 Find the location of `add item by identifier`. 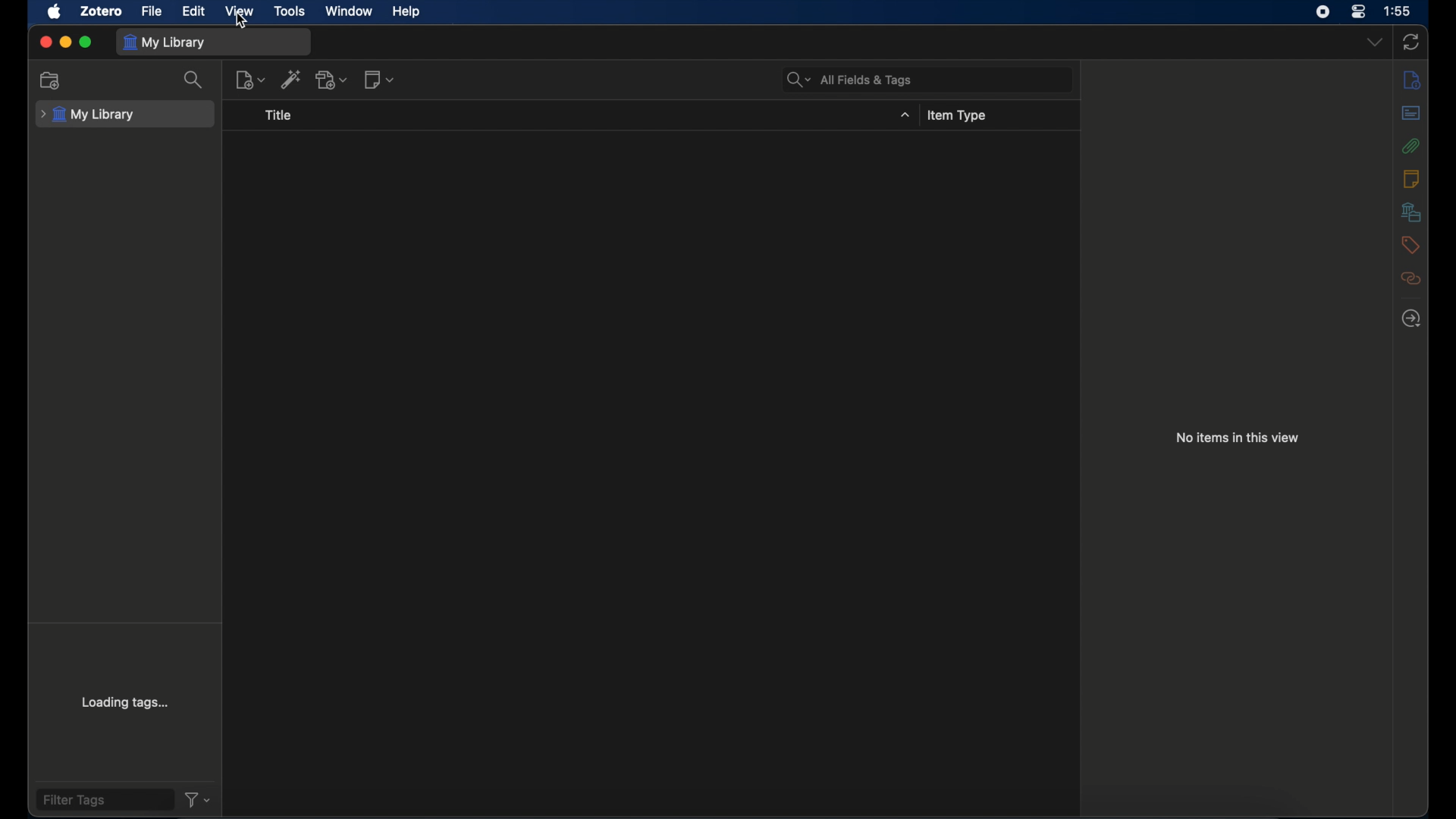

add item by identifier is located at coordinates (291, 79).